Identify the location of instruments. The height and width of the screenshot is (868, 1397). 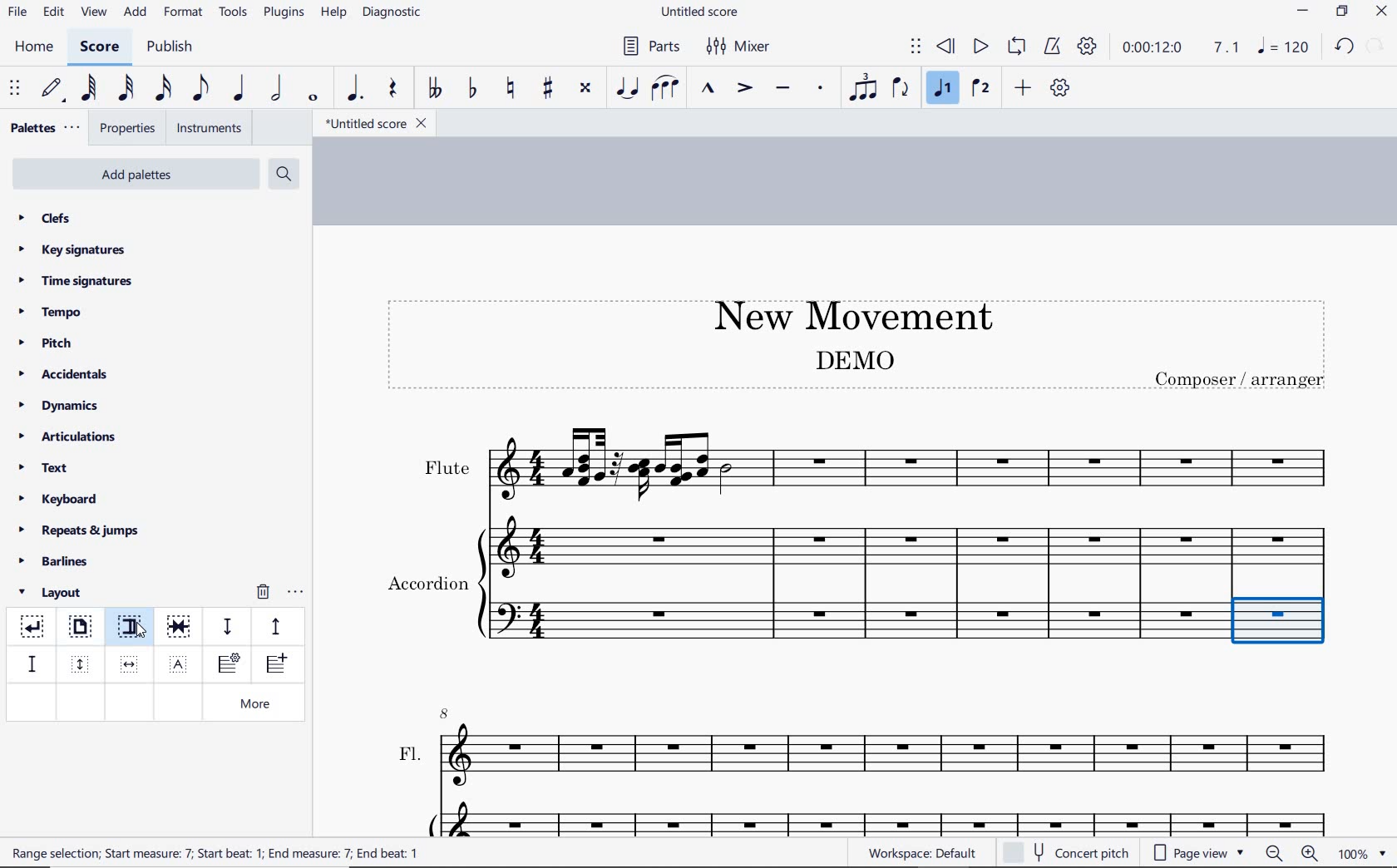
(206, 129).